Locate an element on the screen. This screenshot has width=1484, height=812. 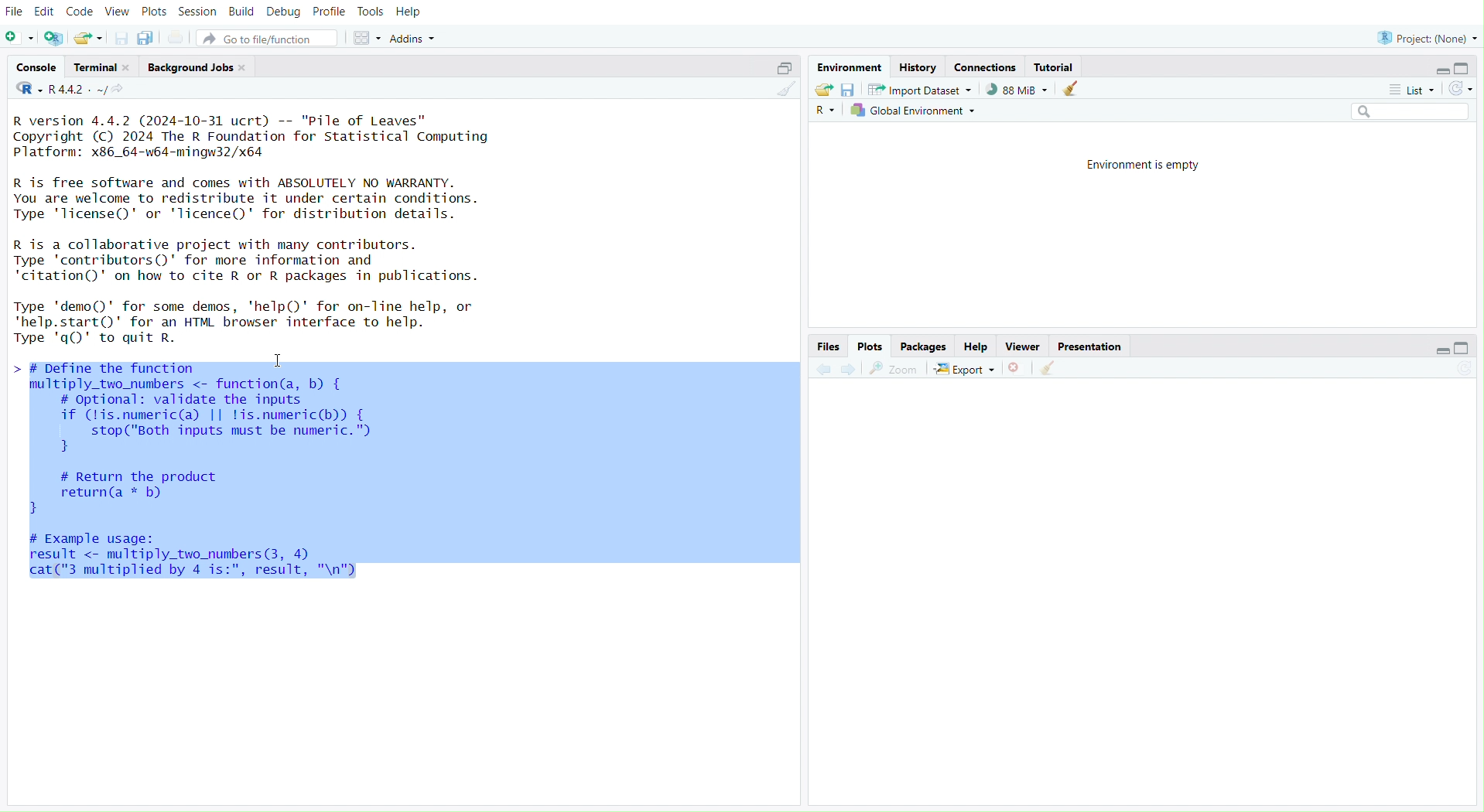
R 4.4.2~/ is located at coordinates (78, 91).